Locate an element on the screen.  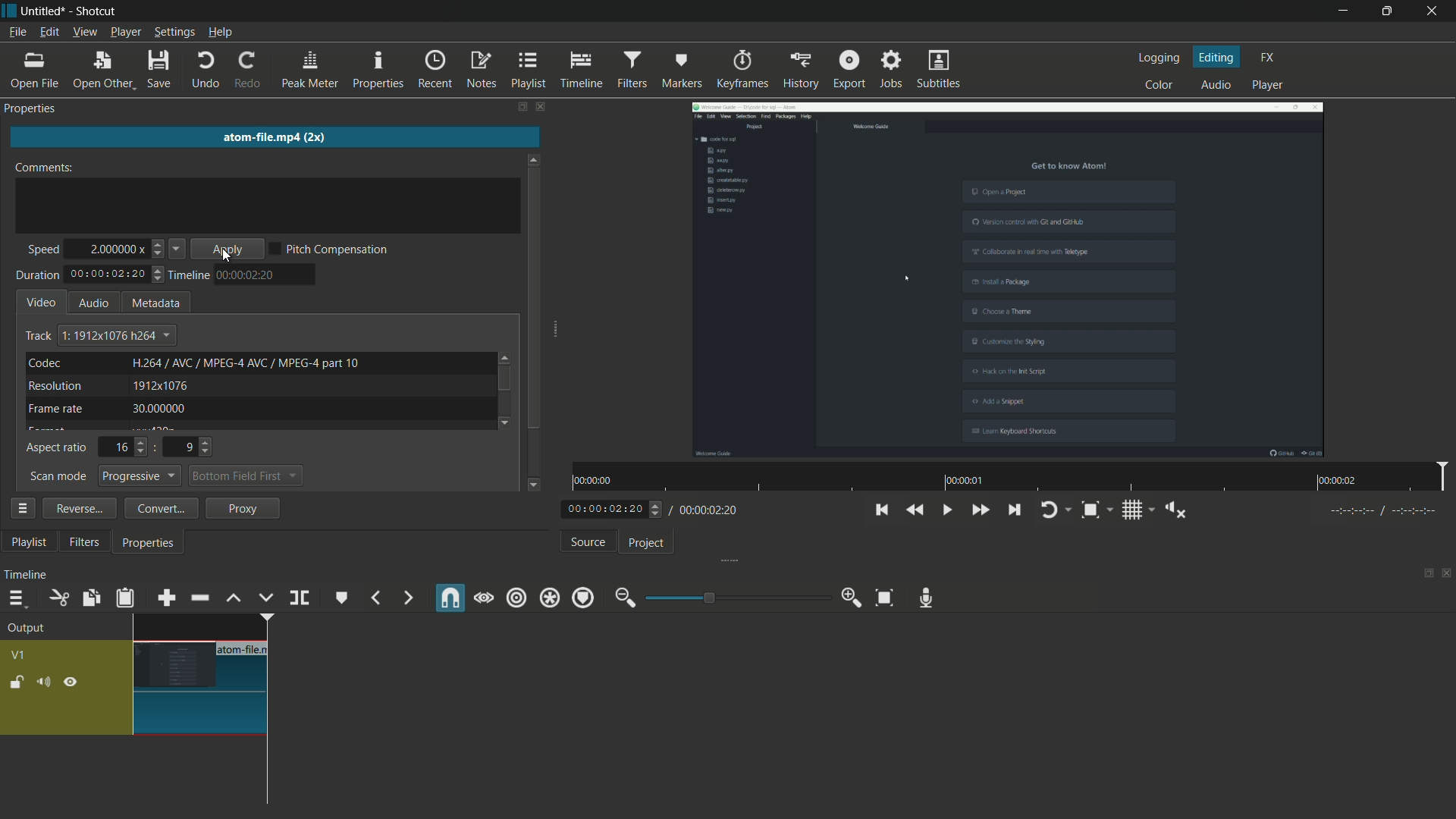
1912 is located at coordinates (161, 385).